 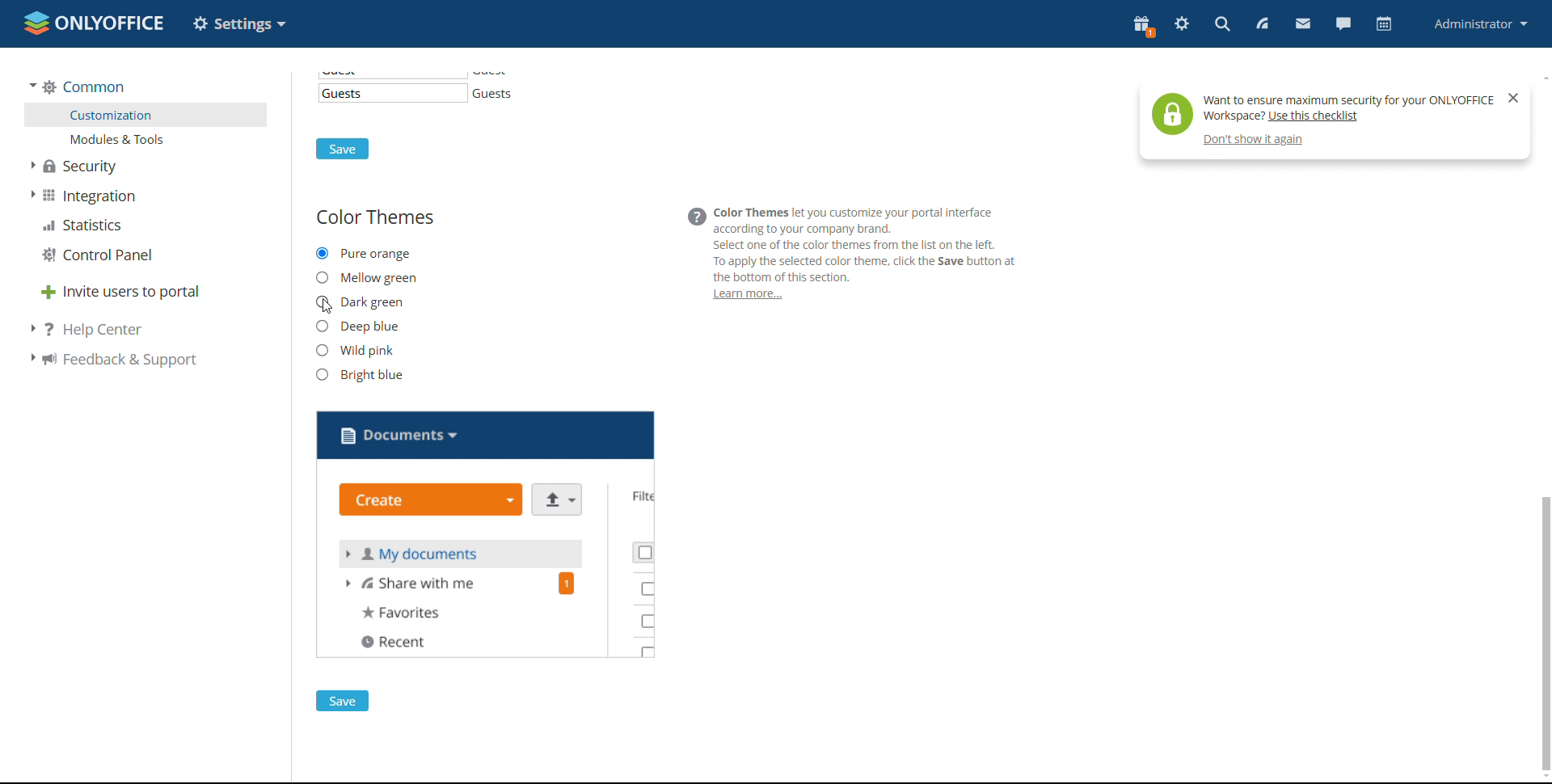 I want to click on cursor, so click(x=331, y=312).